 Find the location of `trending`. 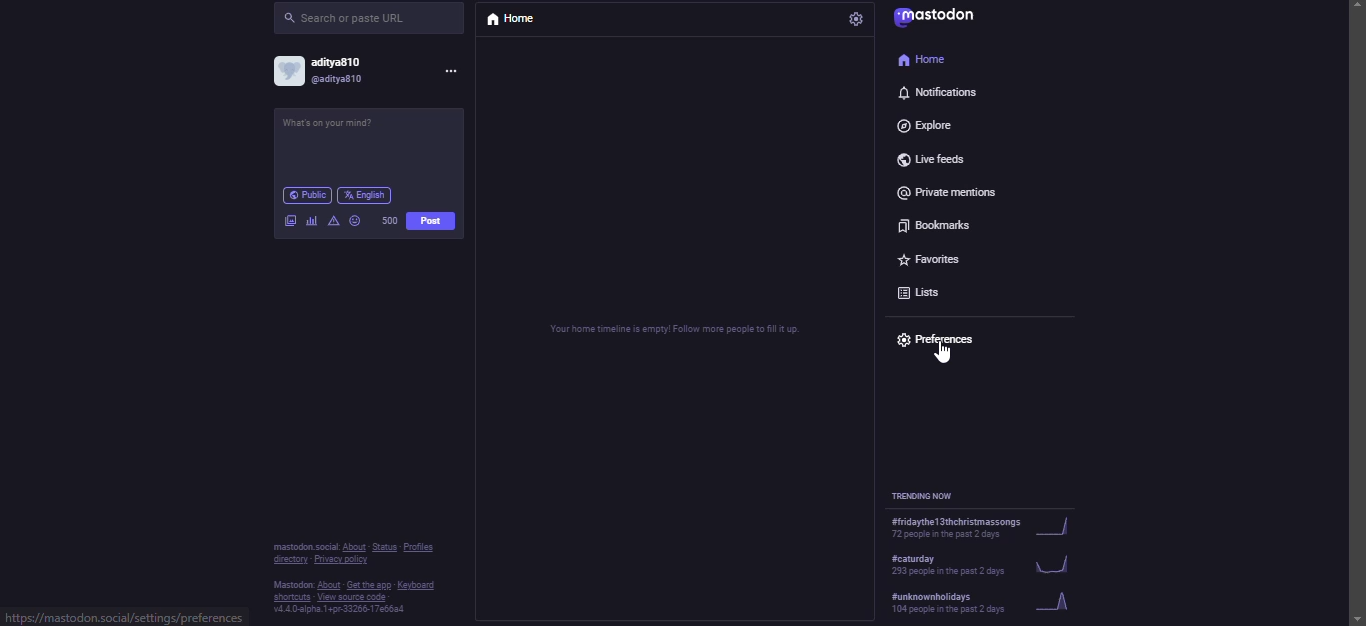

trending is located at coordinates (985, 562).